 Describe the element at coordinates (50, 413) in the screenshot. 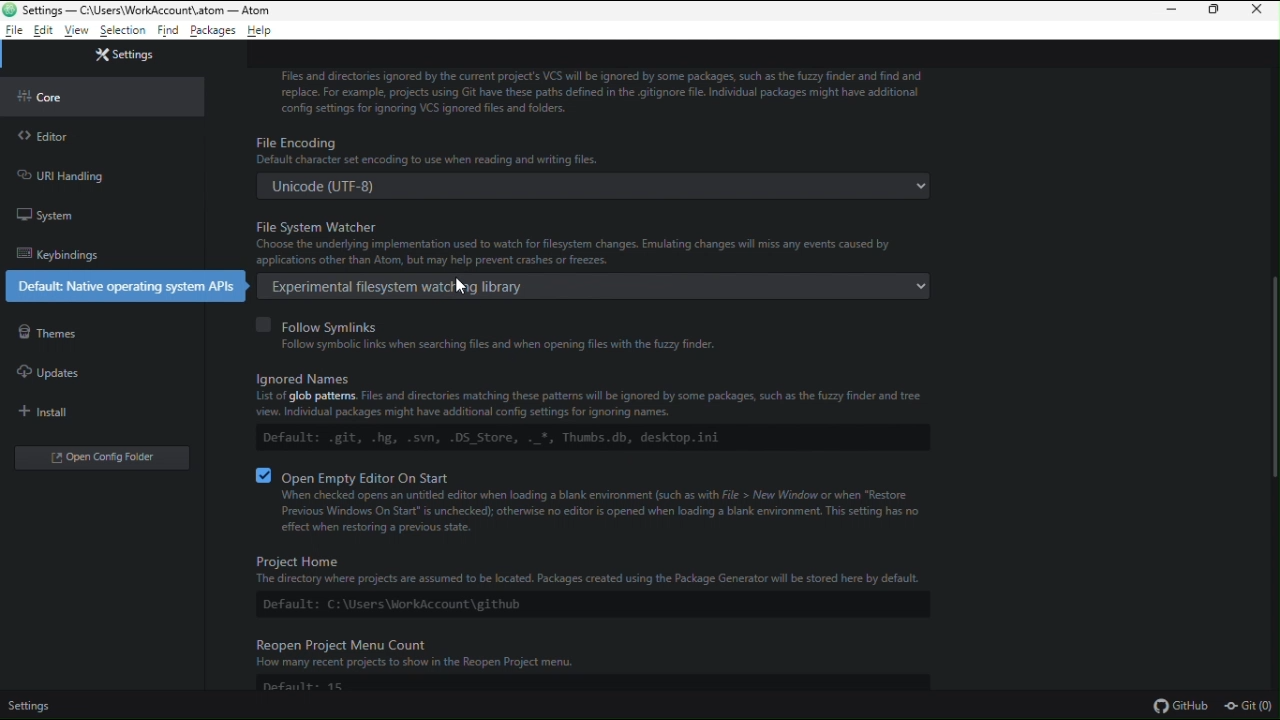

I see `install` at that location.